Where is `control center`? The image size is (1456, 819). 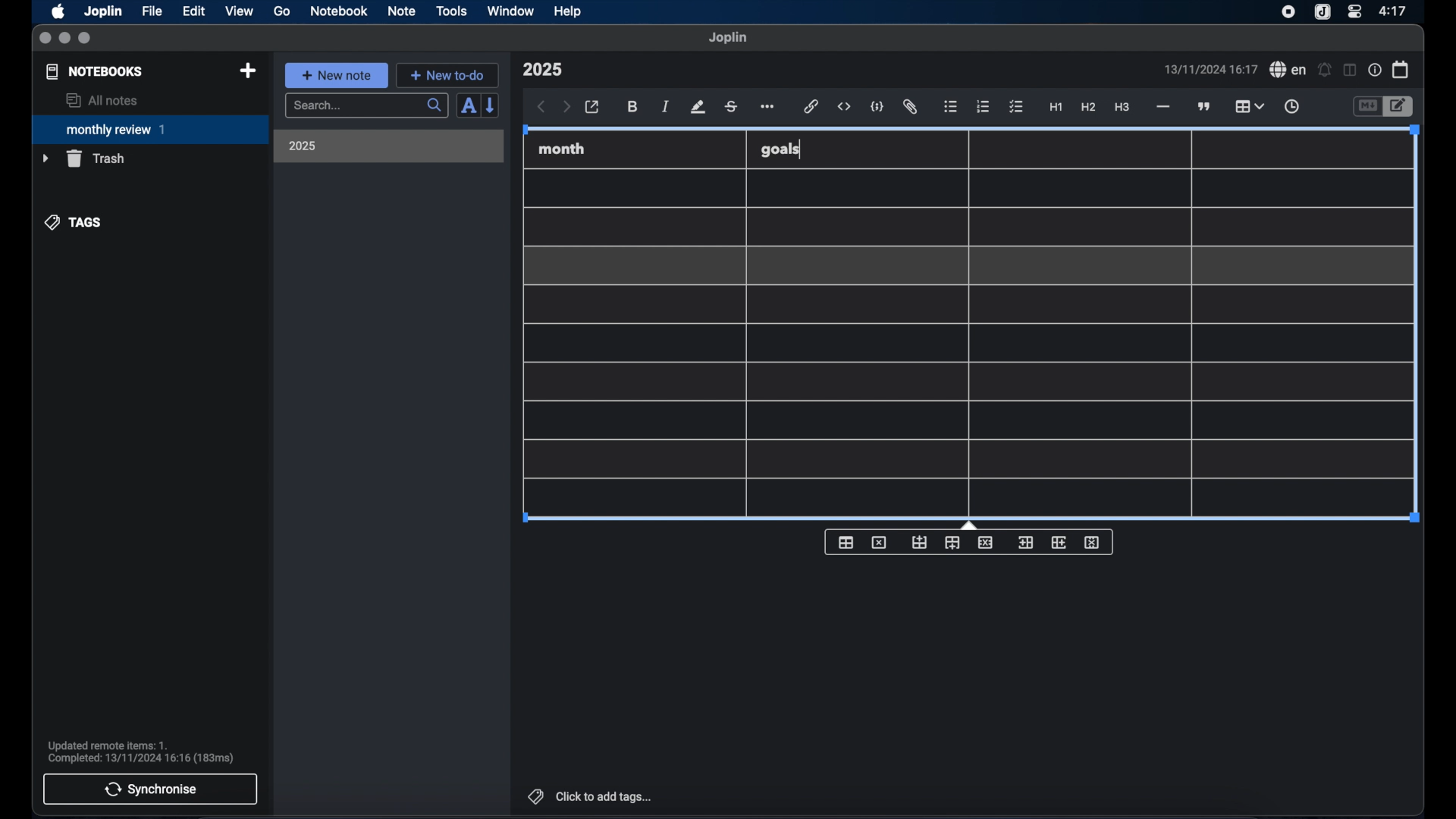 control center is located at coordinates (1354, 11).